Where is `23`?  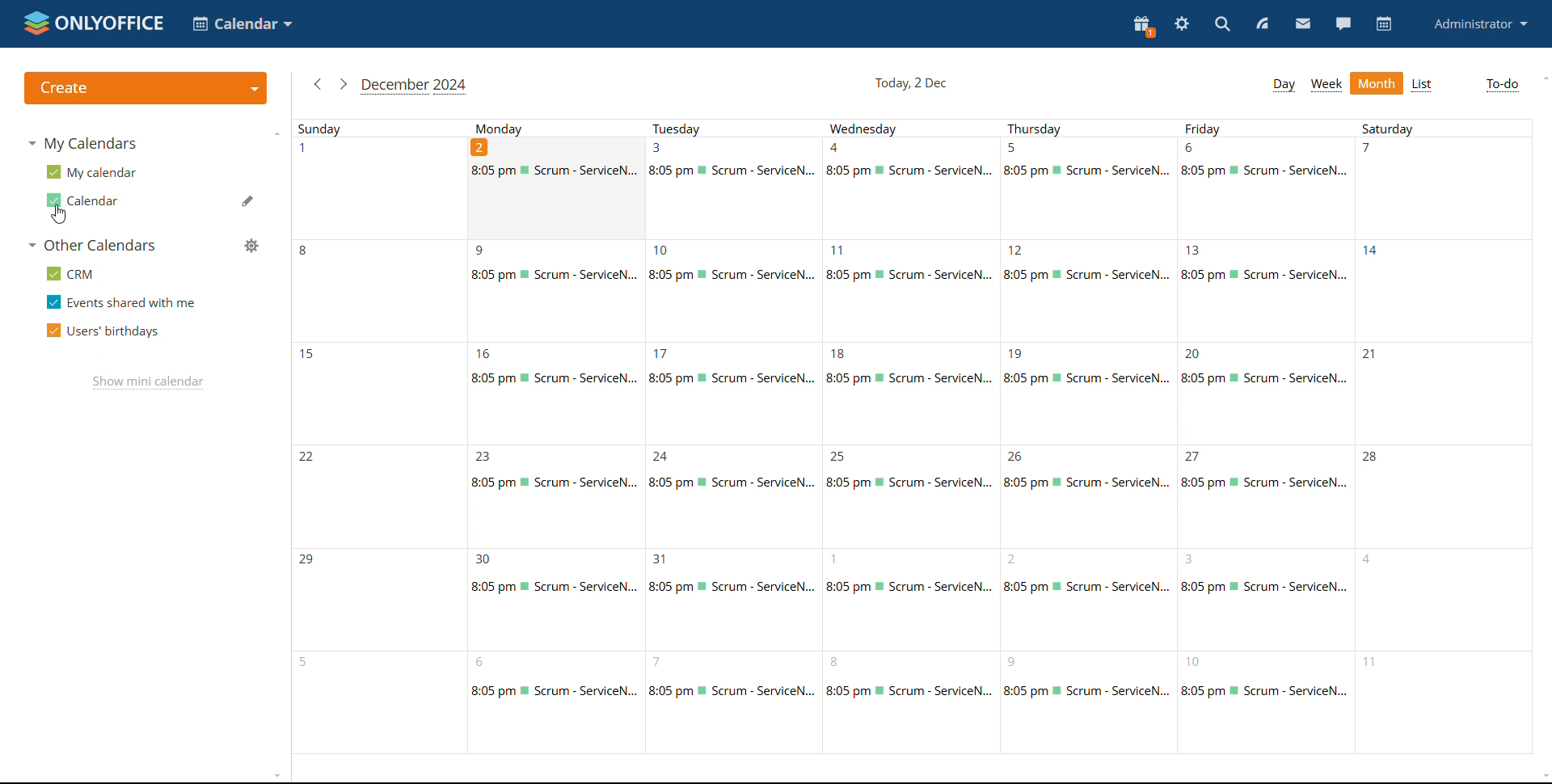 23 is located at coordinates (555, 495).